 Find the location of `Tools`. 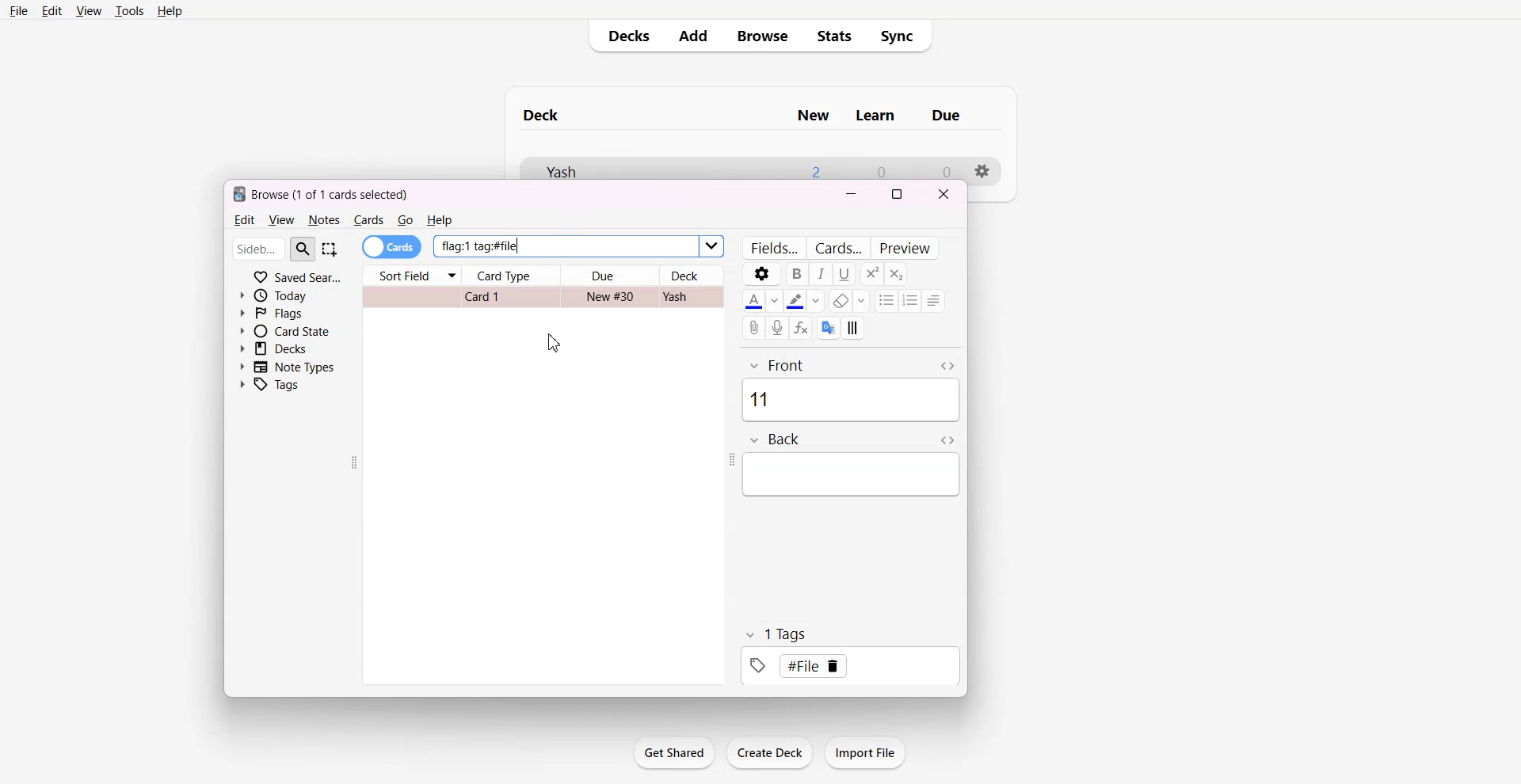

Tools is located at coordinates (128, 10).